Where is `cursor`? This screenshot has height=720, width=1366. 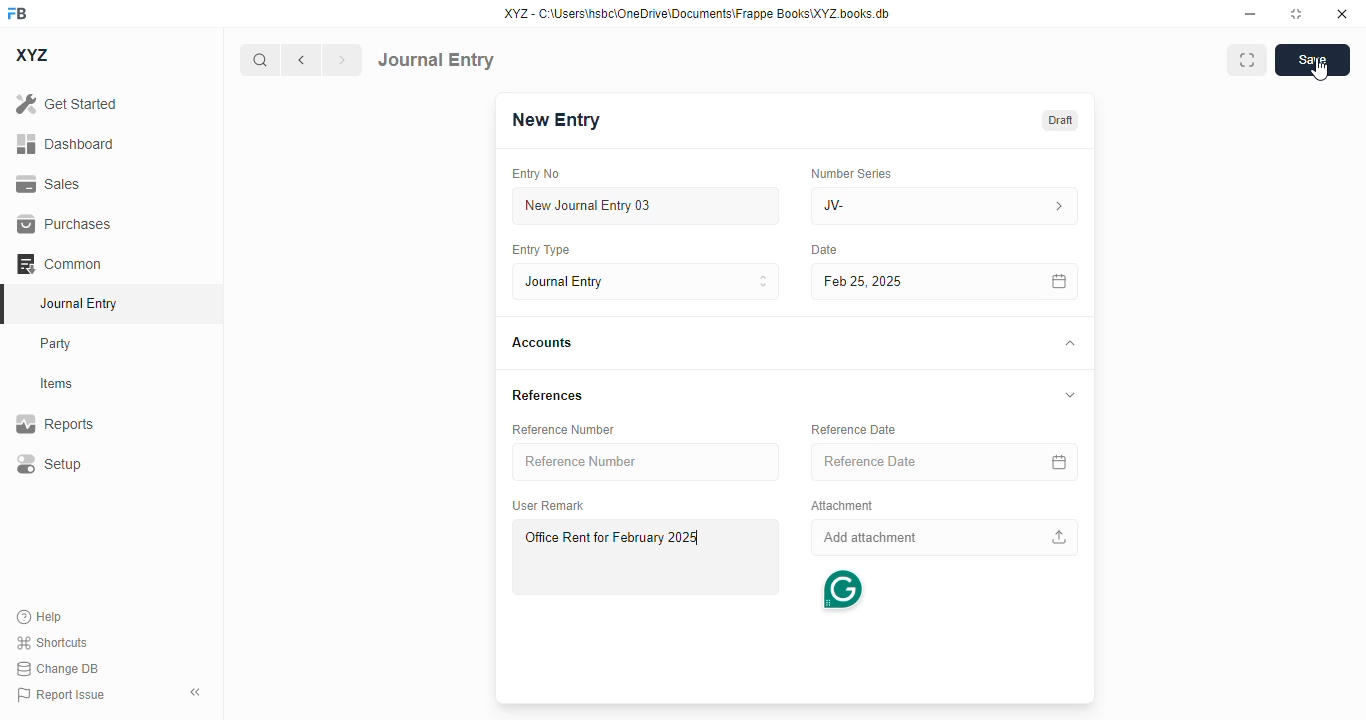
cursor is located at coordinates (1319, 70).